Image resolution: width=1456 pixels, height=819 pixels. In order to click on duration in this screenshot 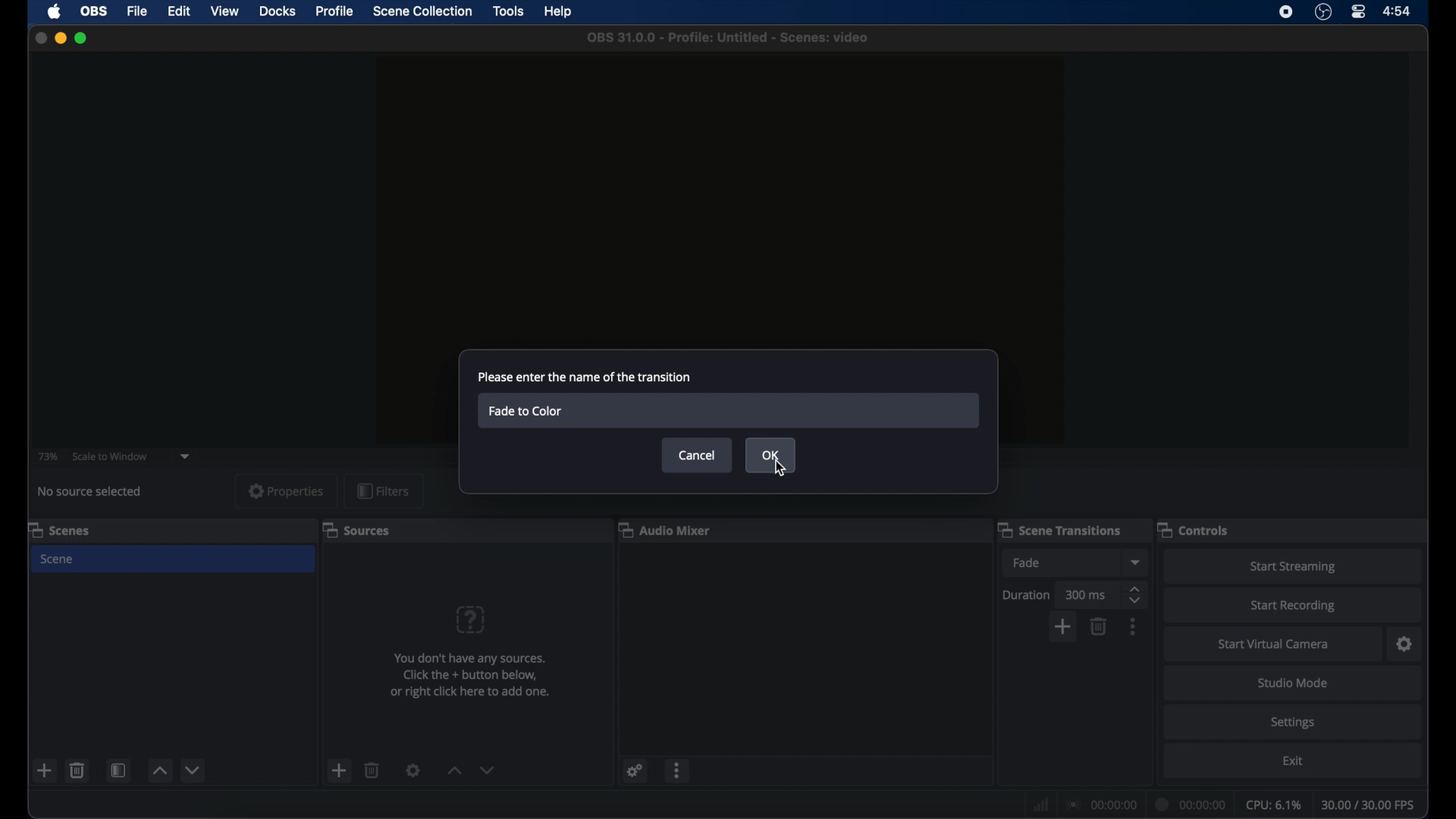, I will do `click(1191, 804)`.